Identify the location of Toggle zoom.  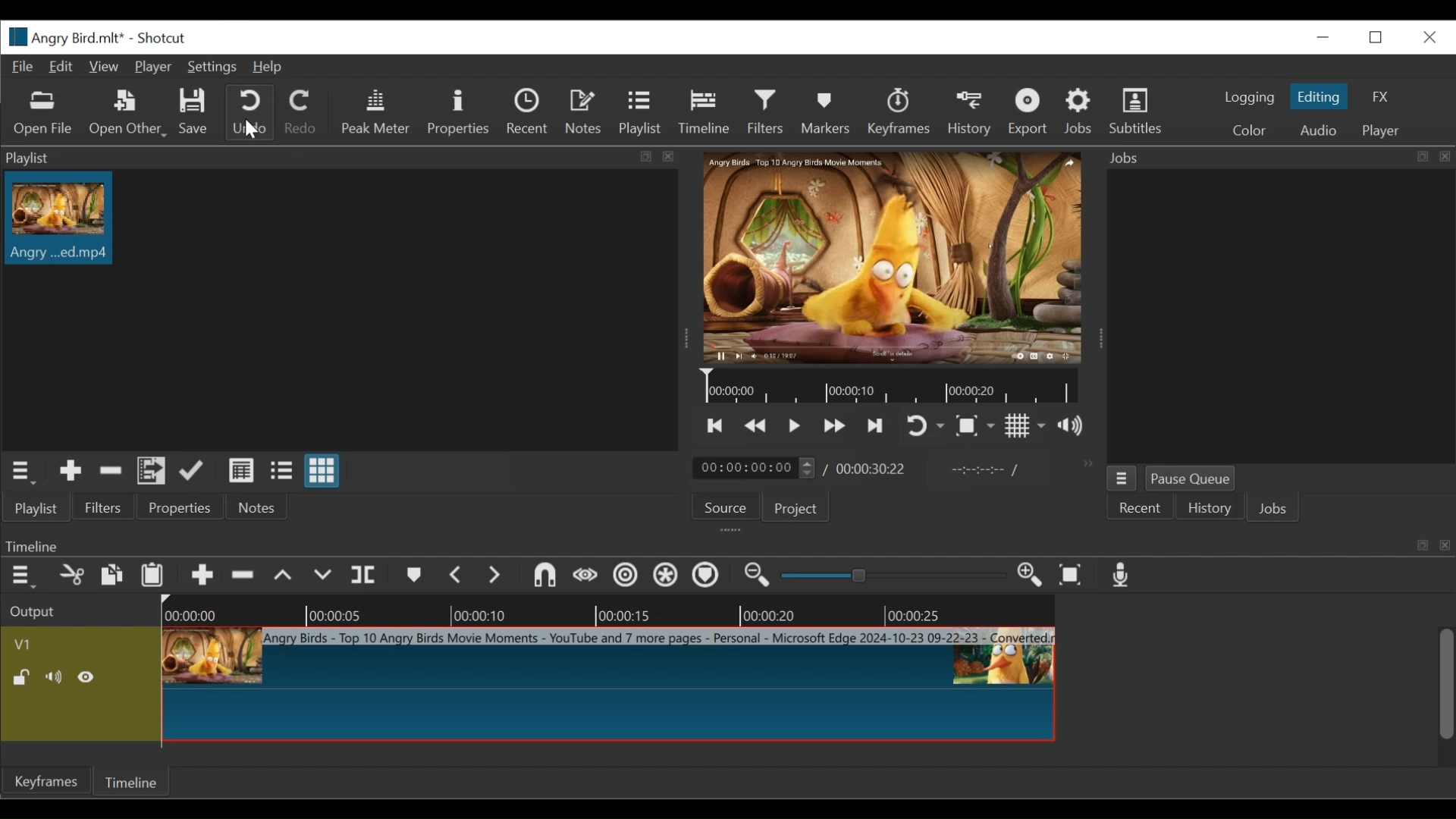
(974, 426).